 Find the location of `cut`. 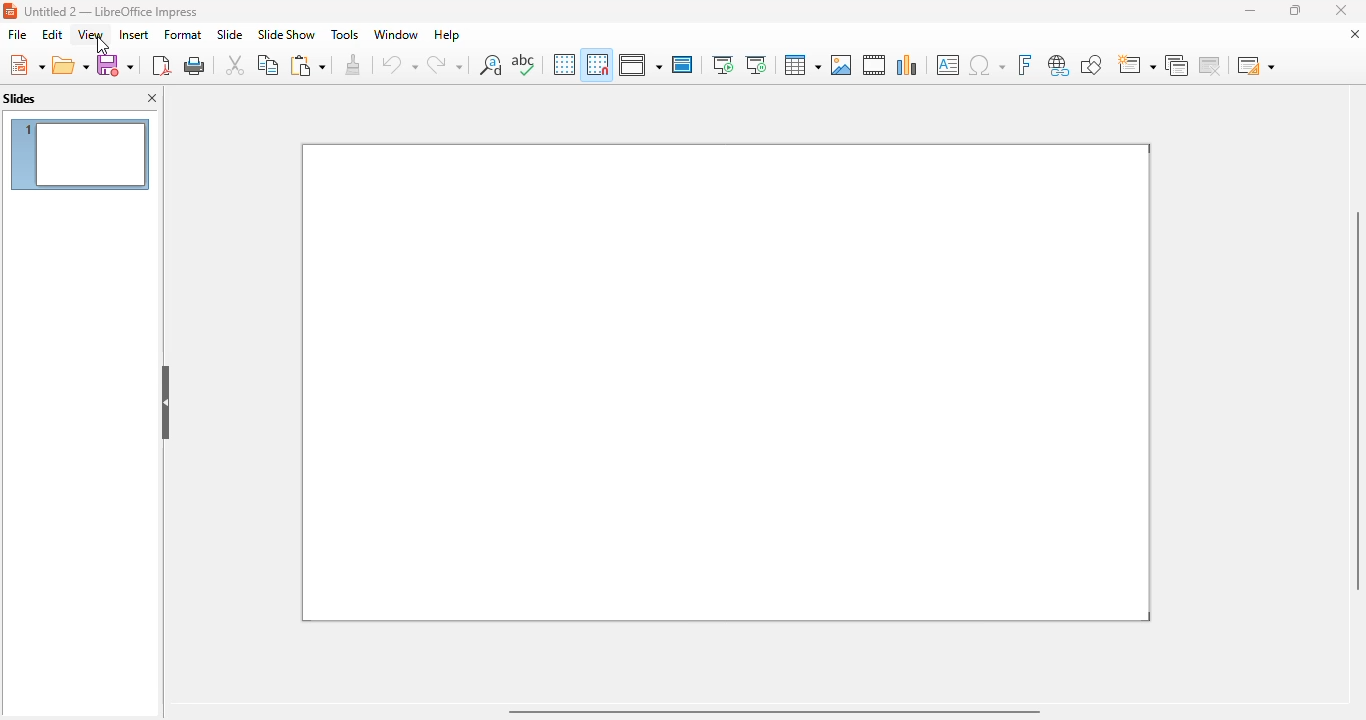

cut is located at coordinates (236, 64).